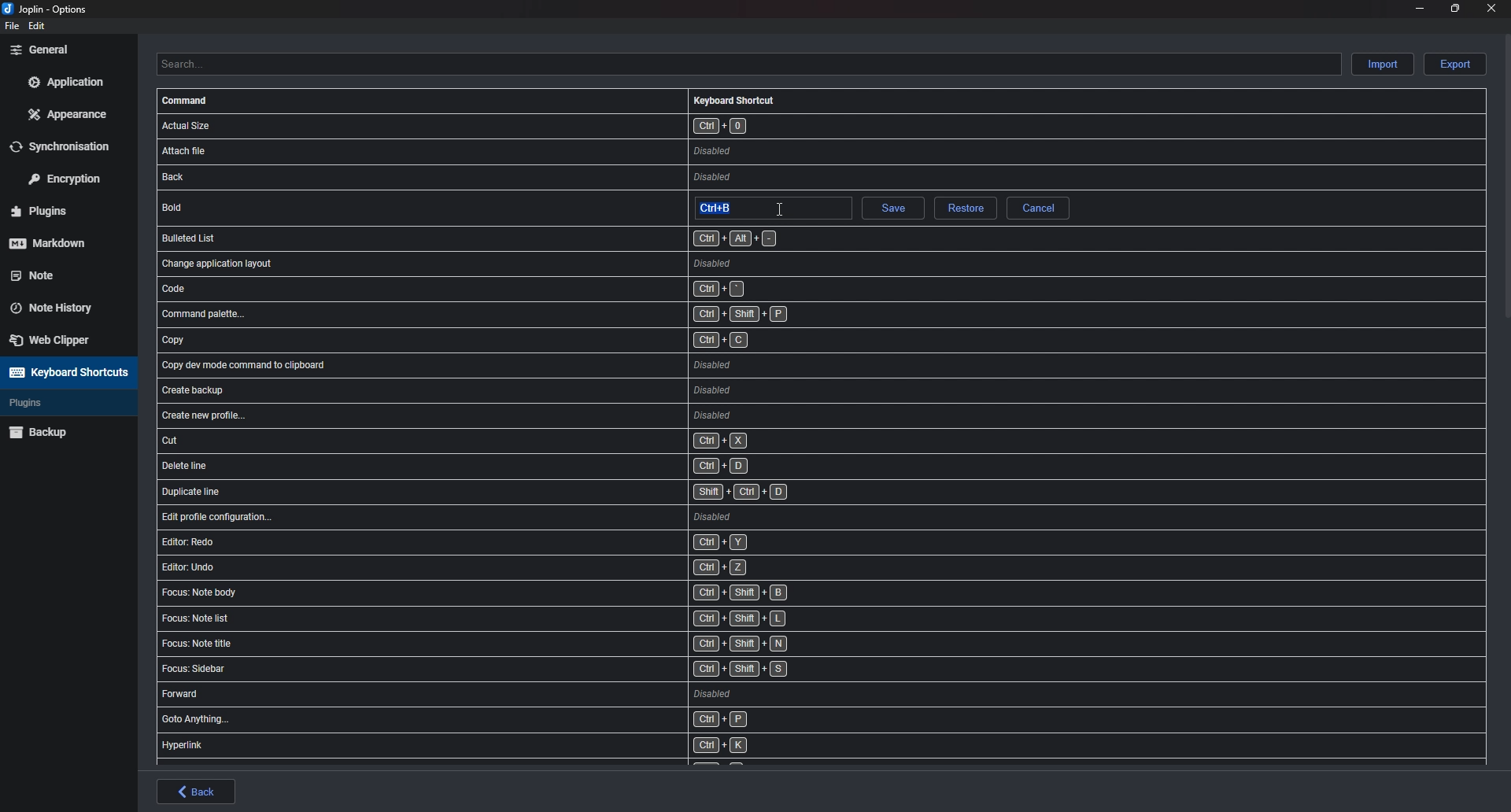  Describe the element at coordinates (520, 567) in the screenshot. I see `shortcut` at that location.